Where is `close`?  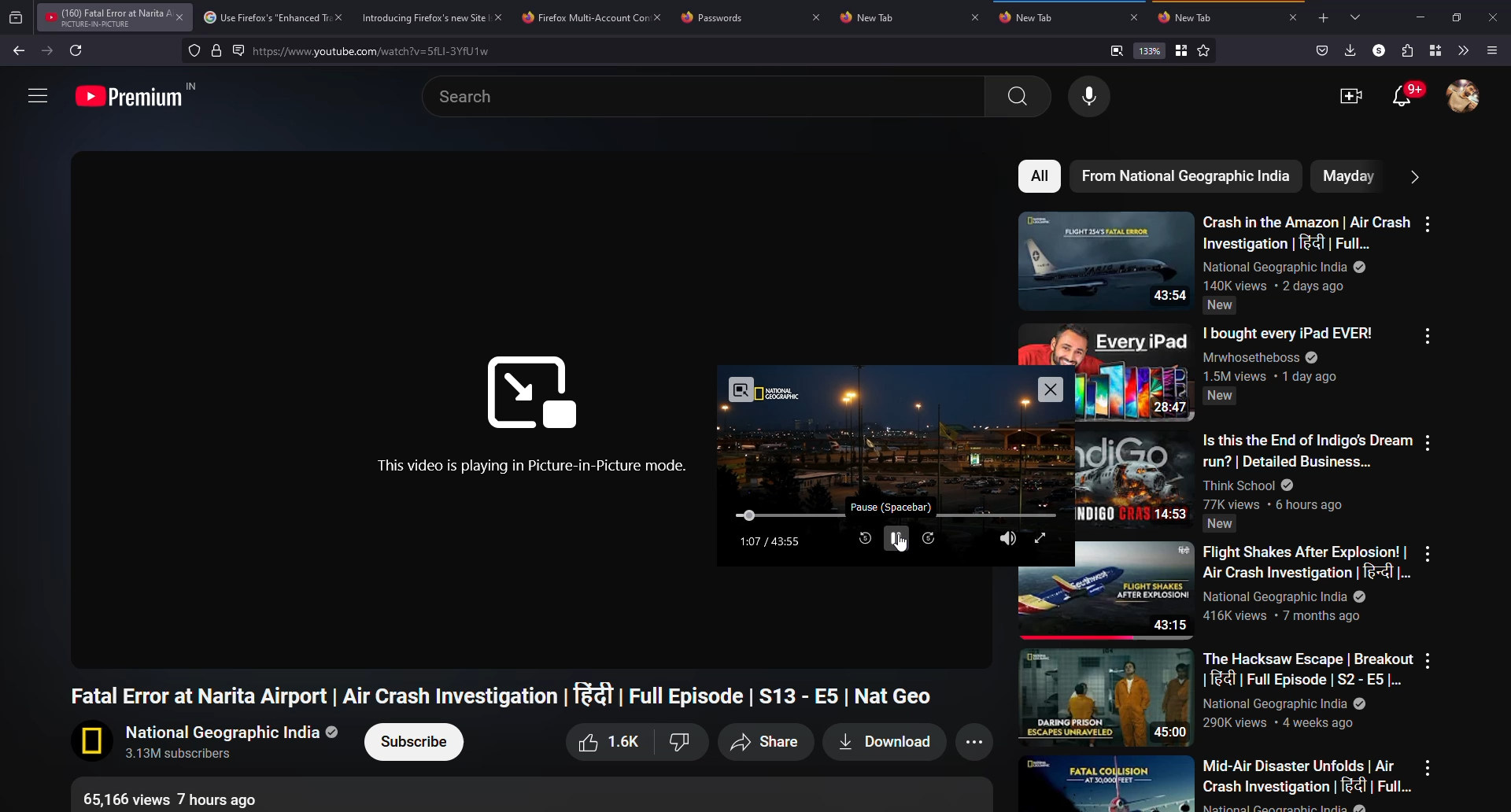 close is located at coordinates (1295, 17).